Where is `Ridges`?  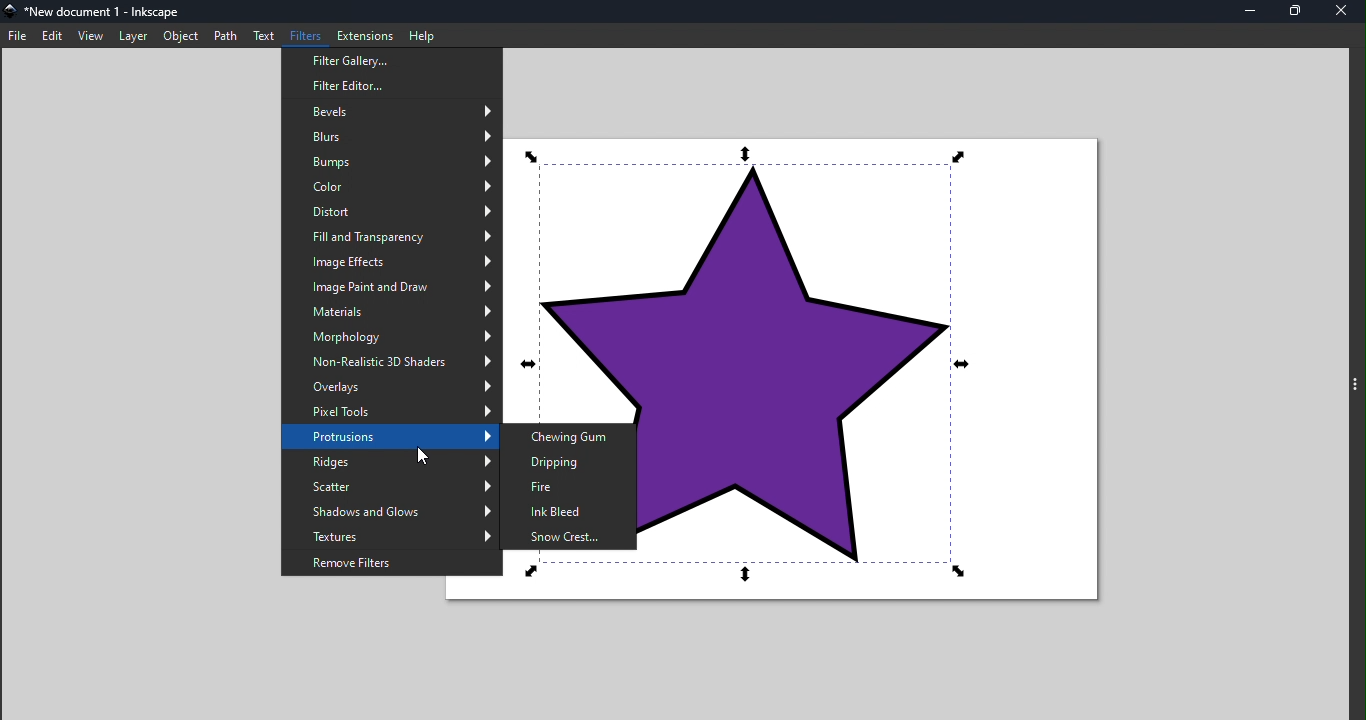 Ridges is located at coordinates (387, 462).